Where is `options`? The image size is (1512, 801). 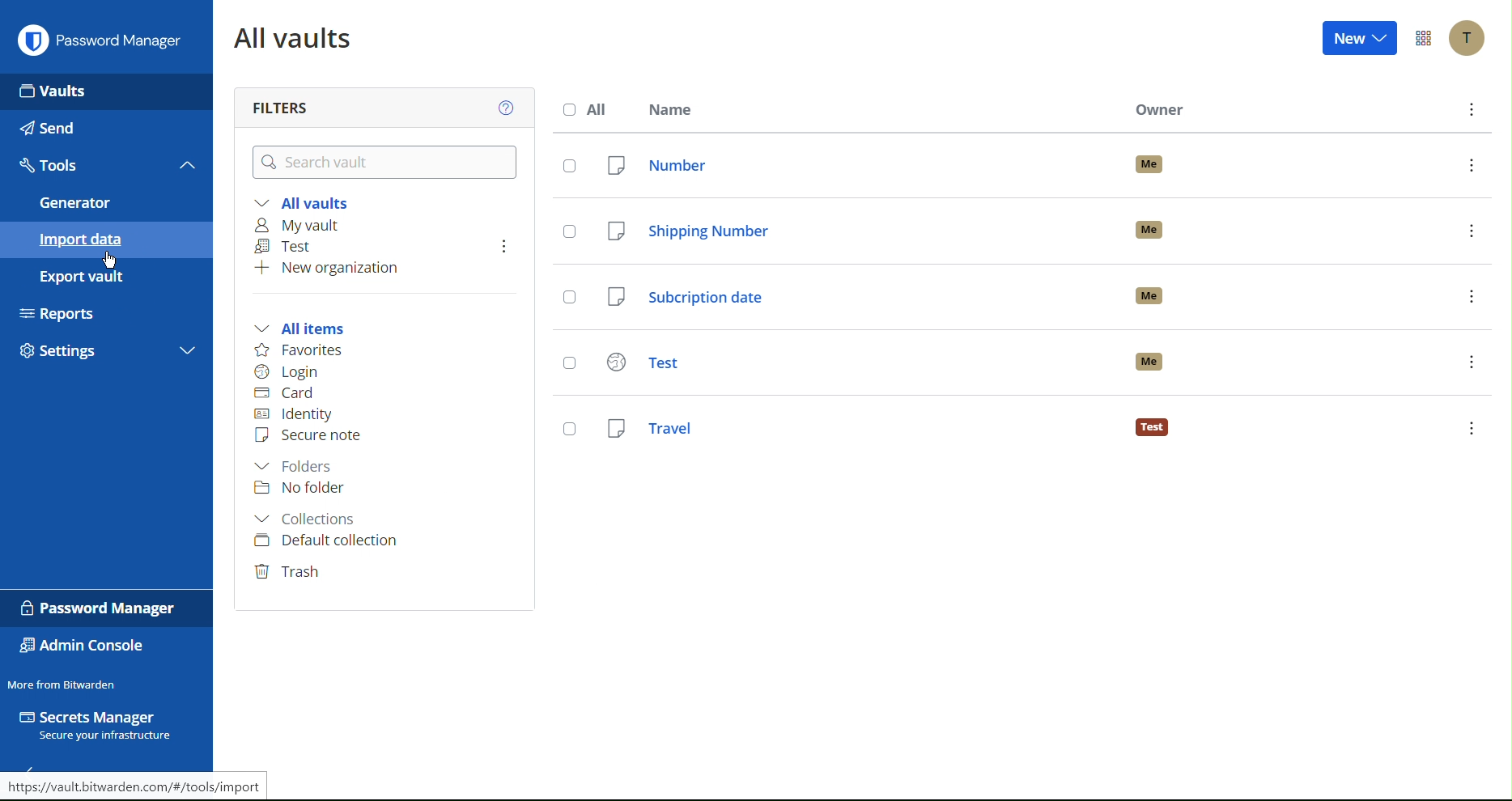 options is located at coordinates (1471, 164).